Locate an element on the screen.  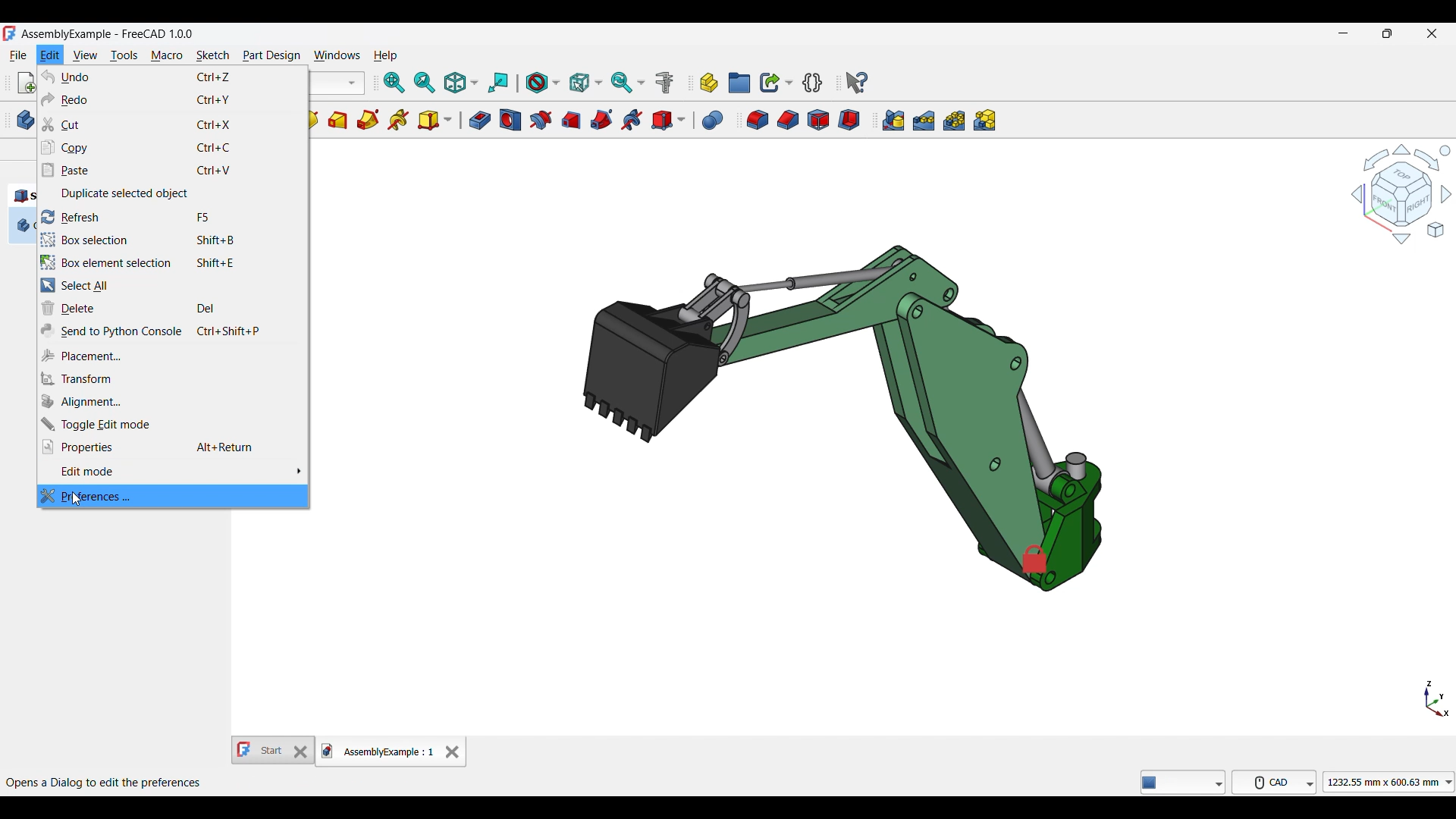
 1232.55 mmx 600.63 mm is located at coordinates (1392, 782).